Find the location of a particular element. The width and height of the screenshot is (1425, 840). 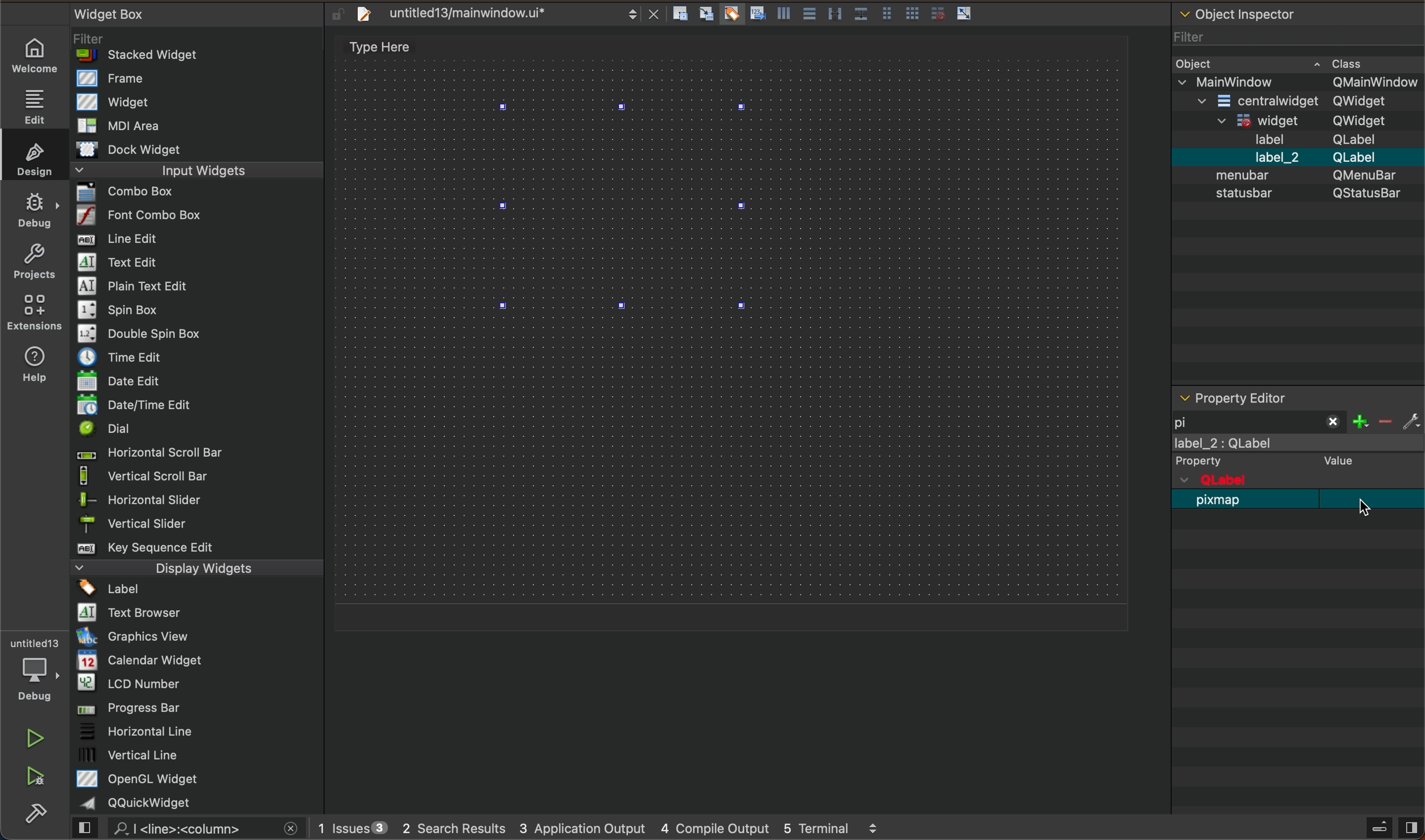

help is located at coordinates (40, 362).